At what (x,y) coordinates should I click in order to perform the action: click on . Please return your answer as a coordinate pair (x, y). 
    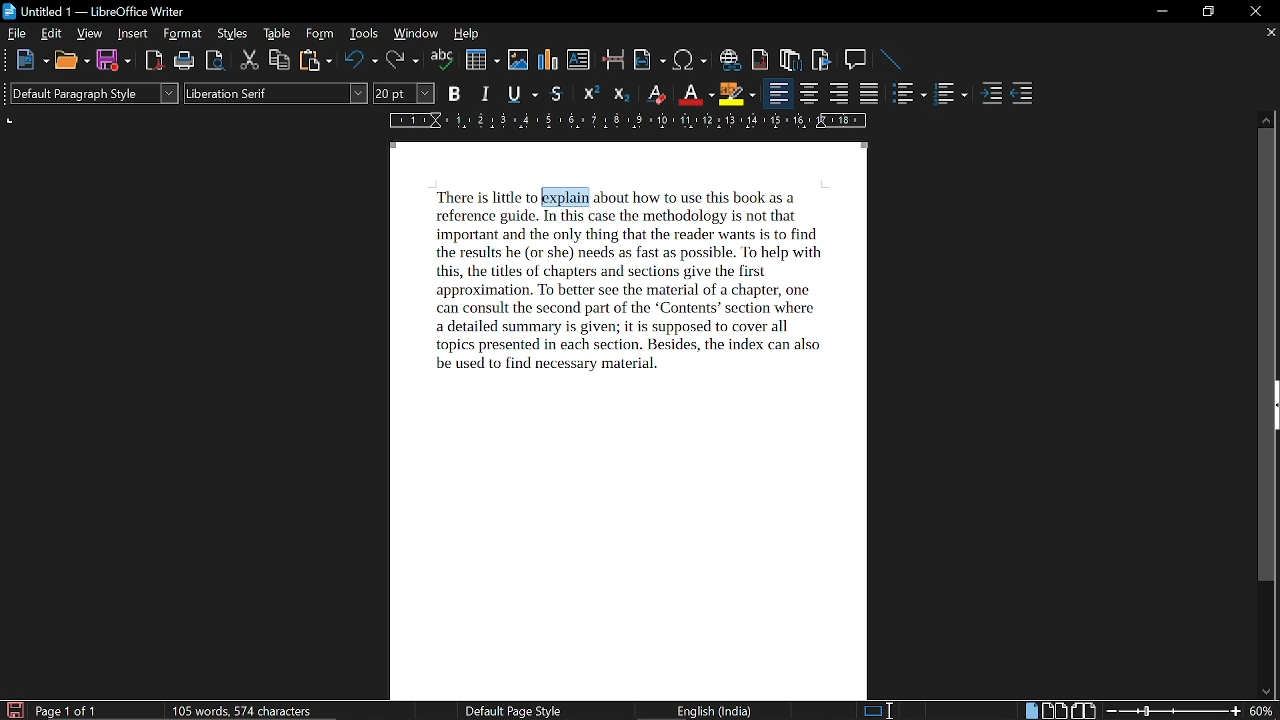
    Looking at the image, I should click on (8, 96).